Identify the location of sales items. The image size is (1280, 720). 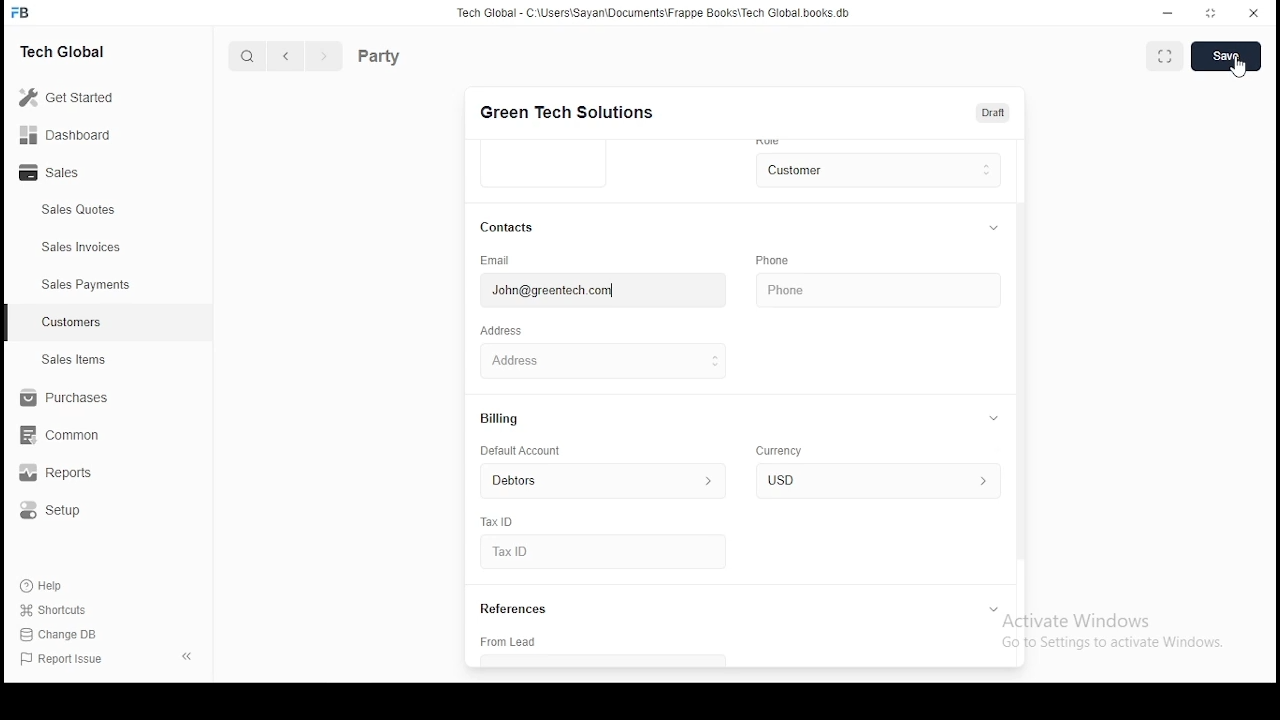
(72, 360).